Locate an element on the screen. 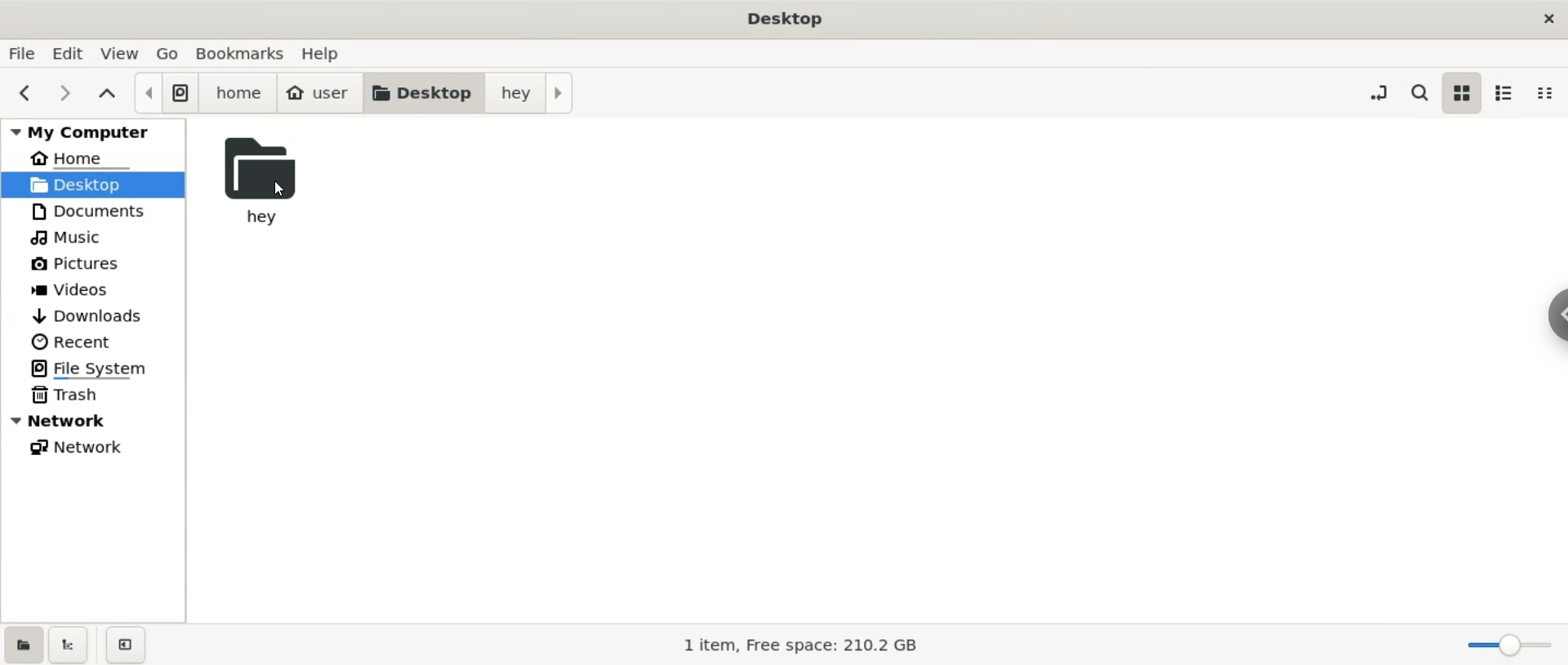 The height and width of the screenshot is (665, 1568). show places is located at coordinates (22, 644).